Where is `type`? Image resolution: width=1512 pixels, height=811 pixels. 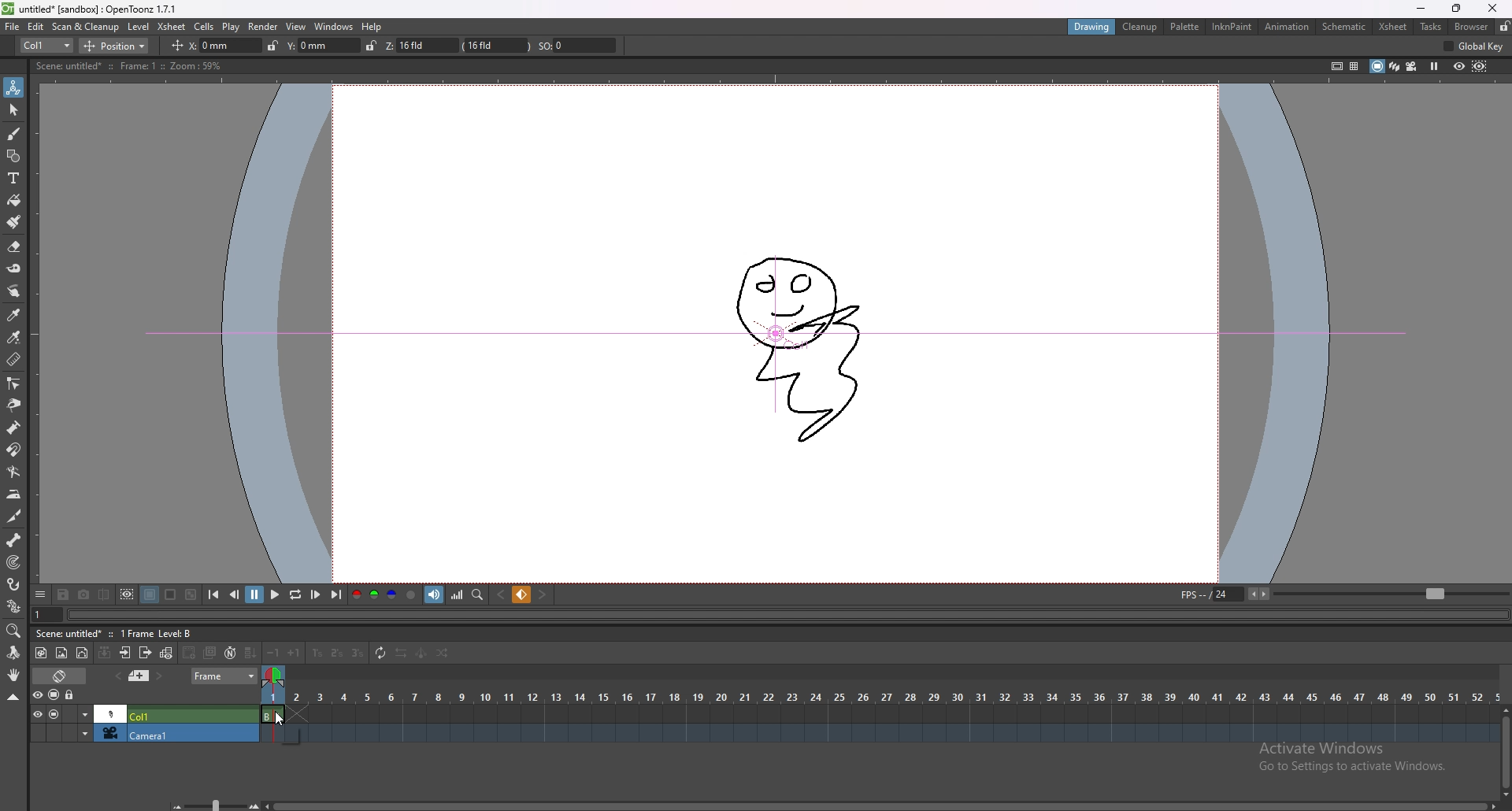 type is located at coordinates (46, 46).